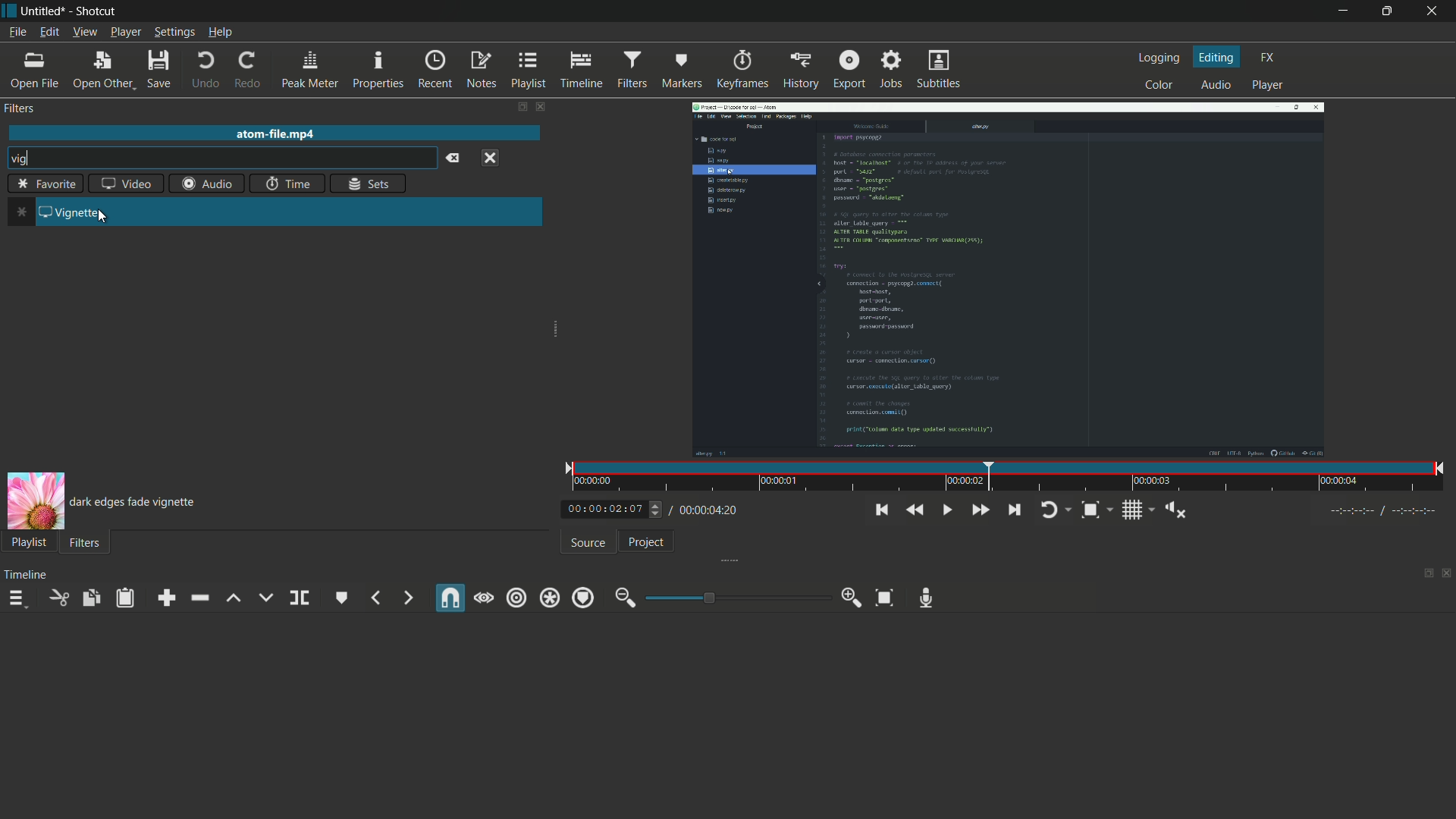 The height and width of the screenshot is (819, 1456). I want to click on player menu, so click(126, 32).